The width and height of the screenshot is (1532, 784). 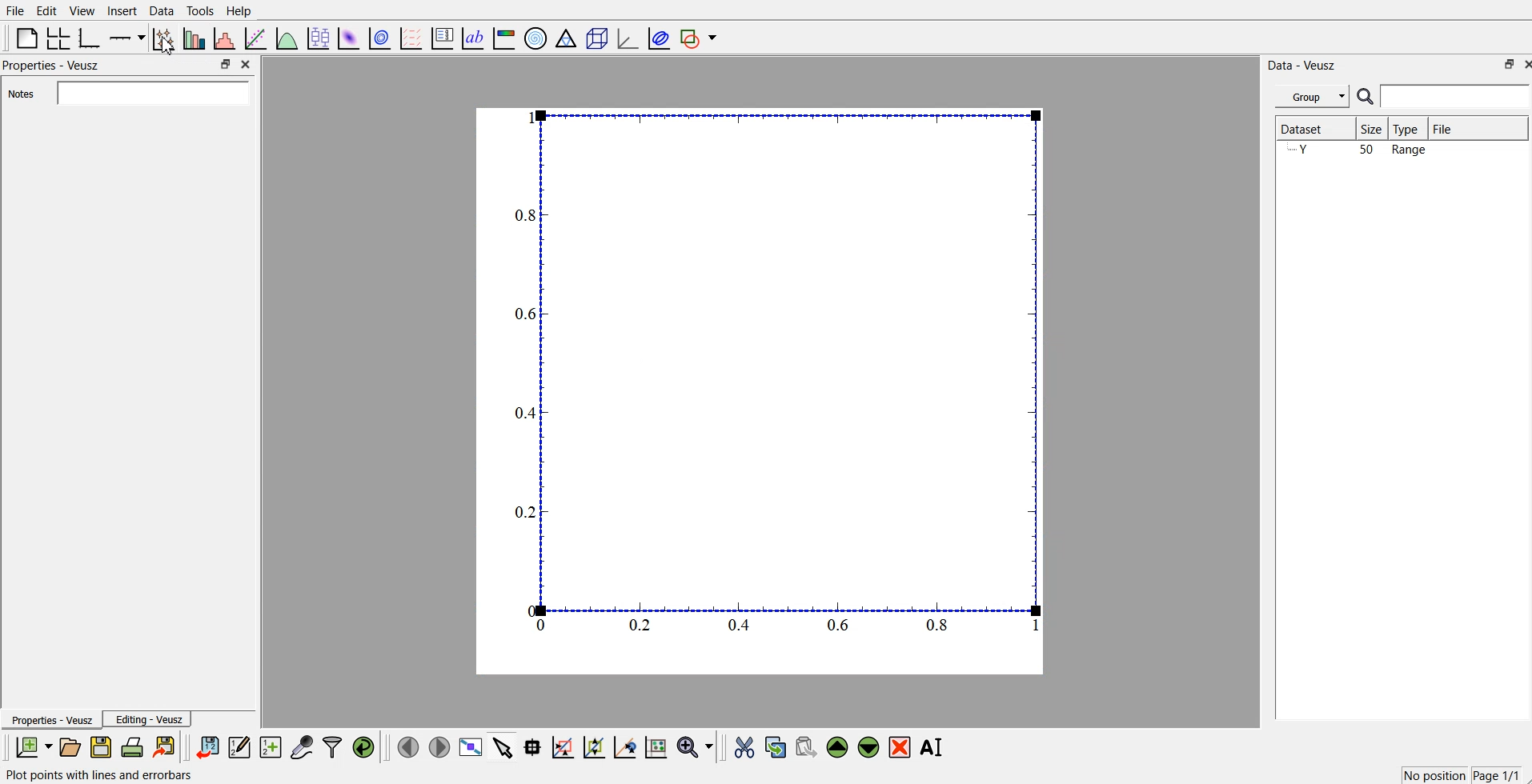 What do you see at coordinates (170, 50) in the screenshot?
I see `cursor` at bounding box center [170, 50].